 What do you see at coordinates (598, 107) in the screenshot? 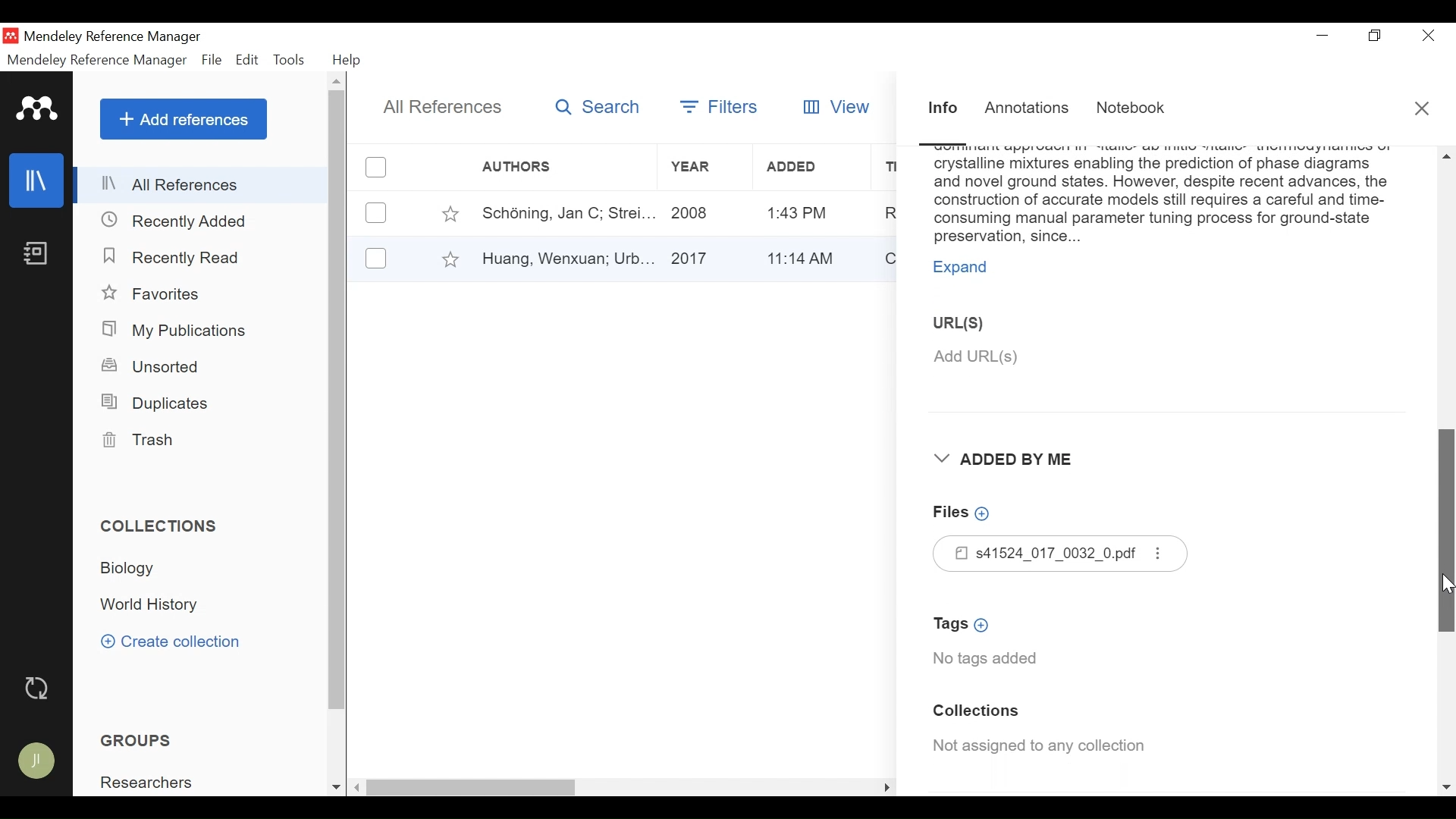
I see `Search` at bounding box center [598, 107].